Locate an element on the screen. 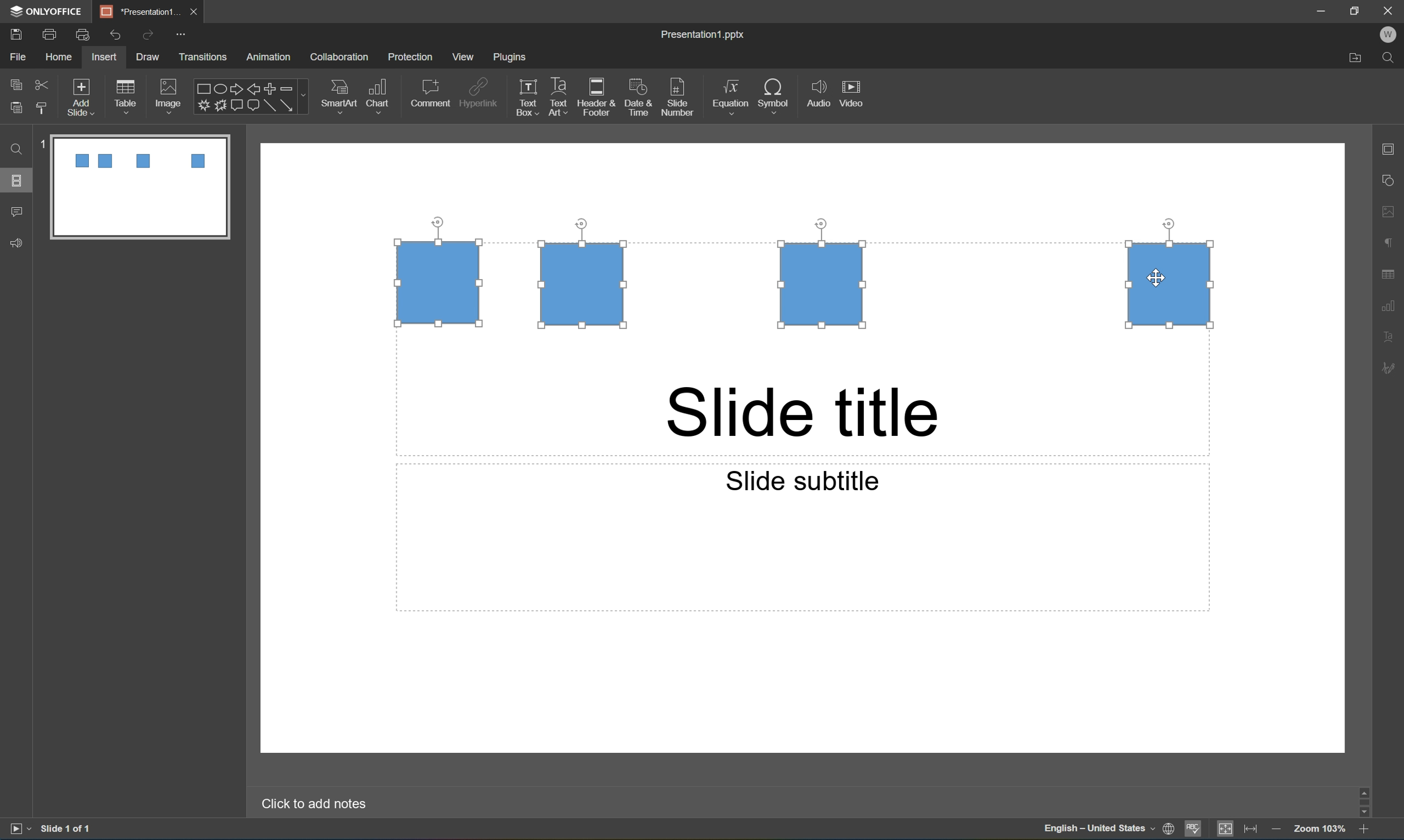  paragraph settings is located at coordinates (1393, 242).